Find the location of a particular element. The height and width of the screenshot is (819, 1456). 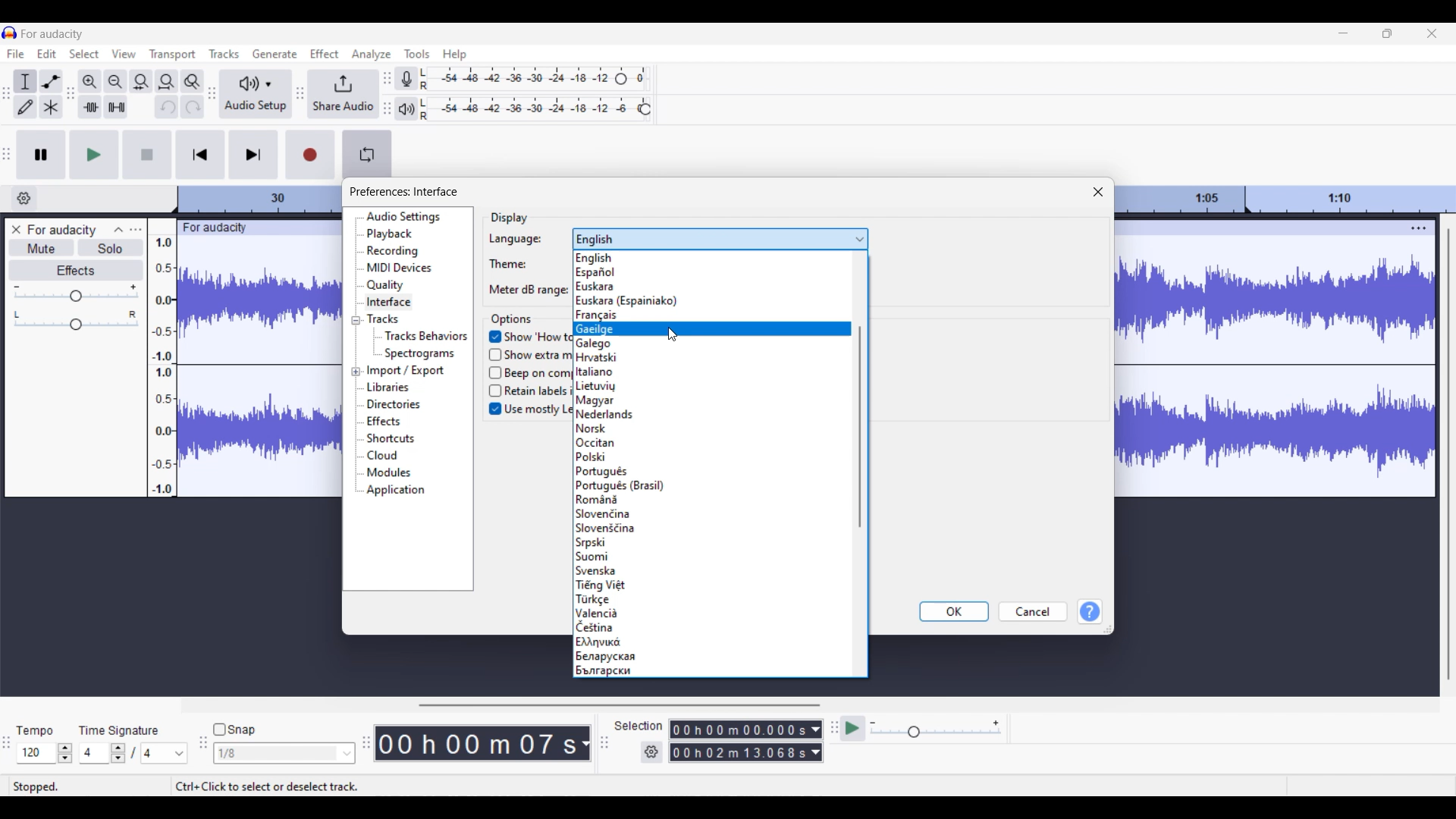

Effects is located at coordinates (383, 421).